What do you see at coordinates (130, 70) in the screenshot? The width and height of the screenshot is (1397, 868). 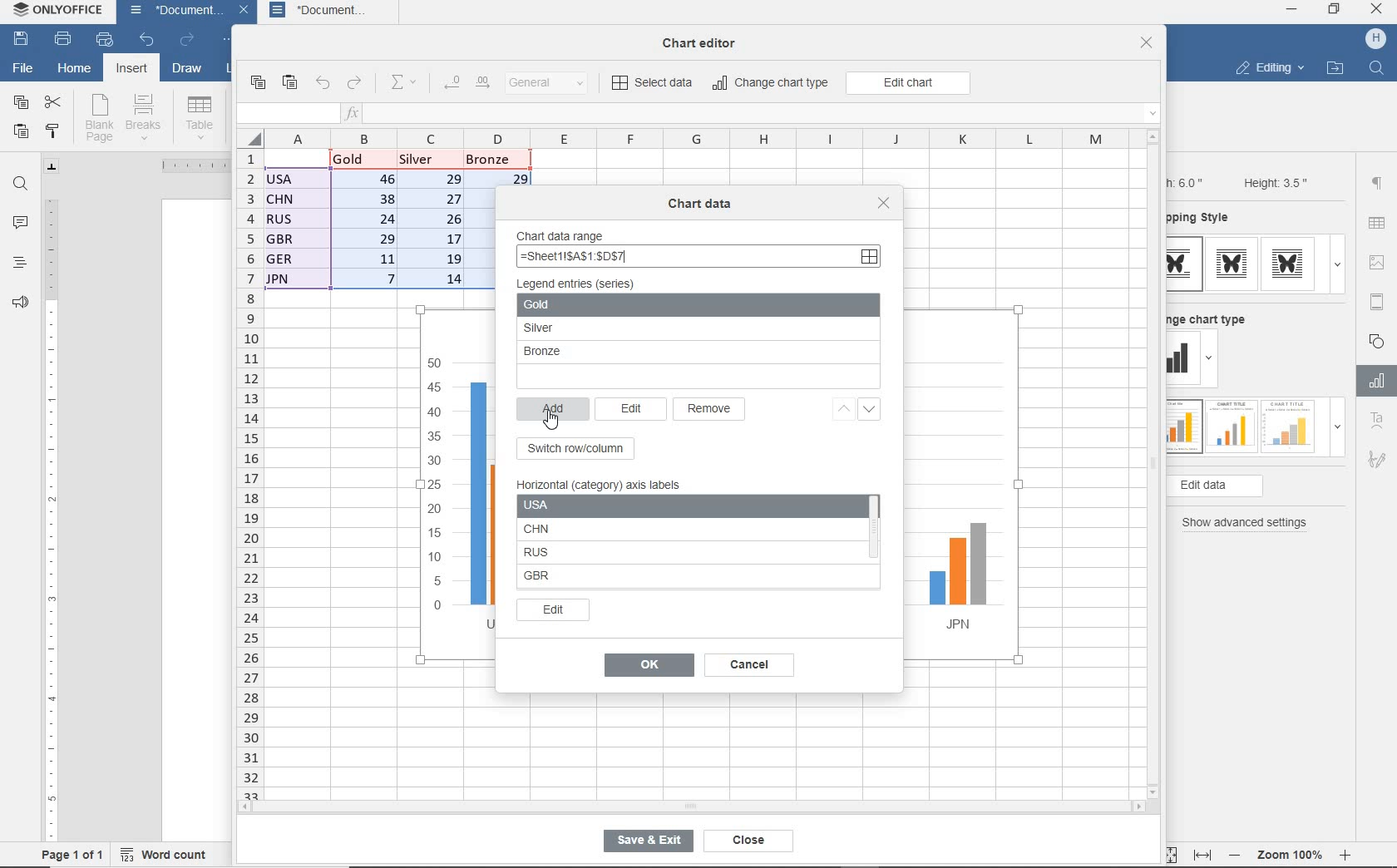 I see `insert` at bounding box center [130, 70].